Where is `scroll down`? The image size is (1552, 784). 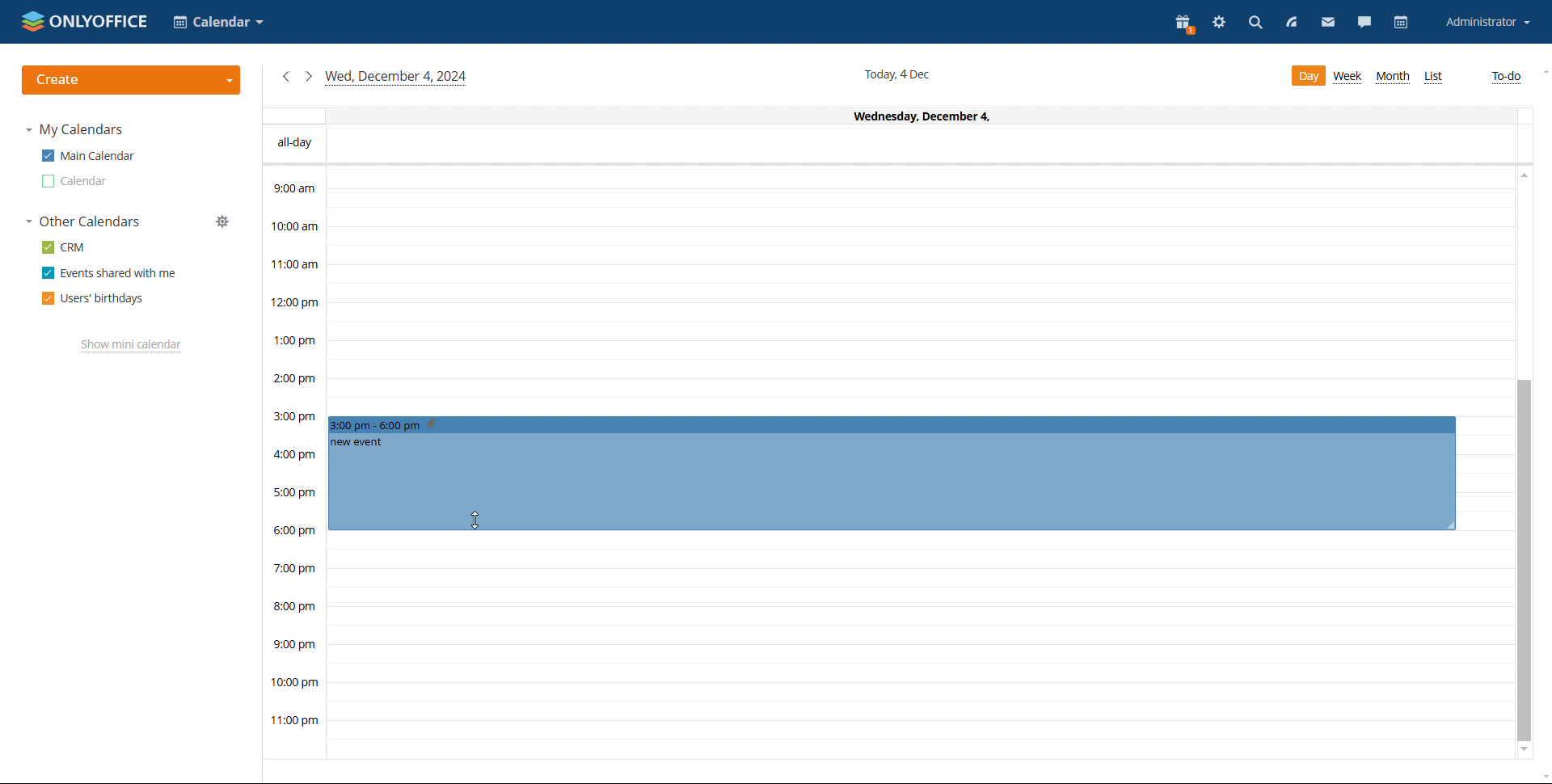 scroll down is located at coordinates (1542, 775).